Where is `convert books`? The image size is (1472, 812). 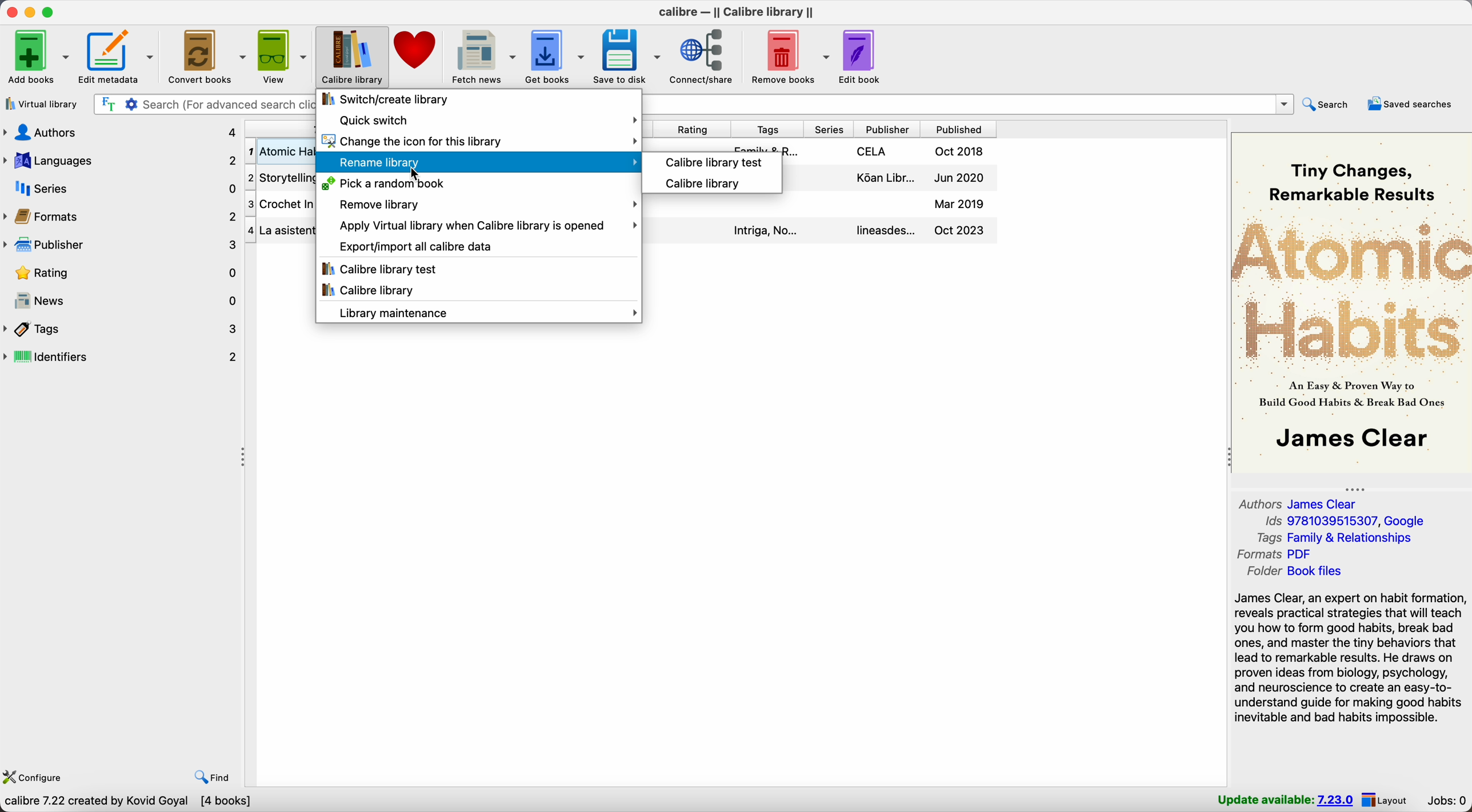
convert books is located at coordinates (207, 56).